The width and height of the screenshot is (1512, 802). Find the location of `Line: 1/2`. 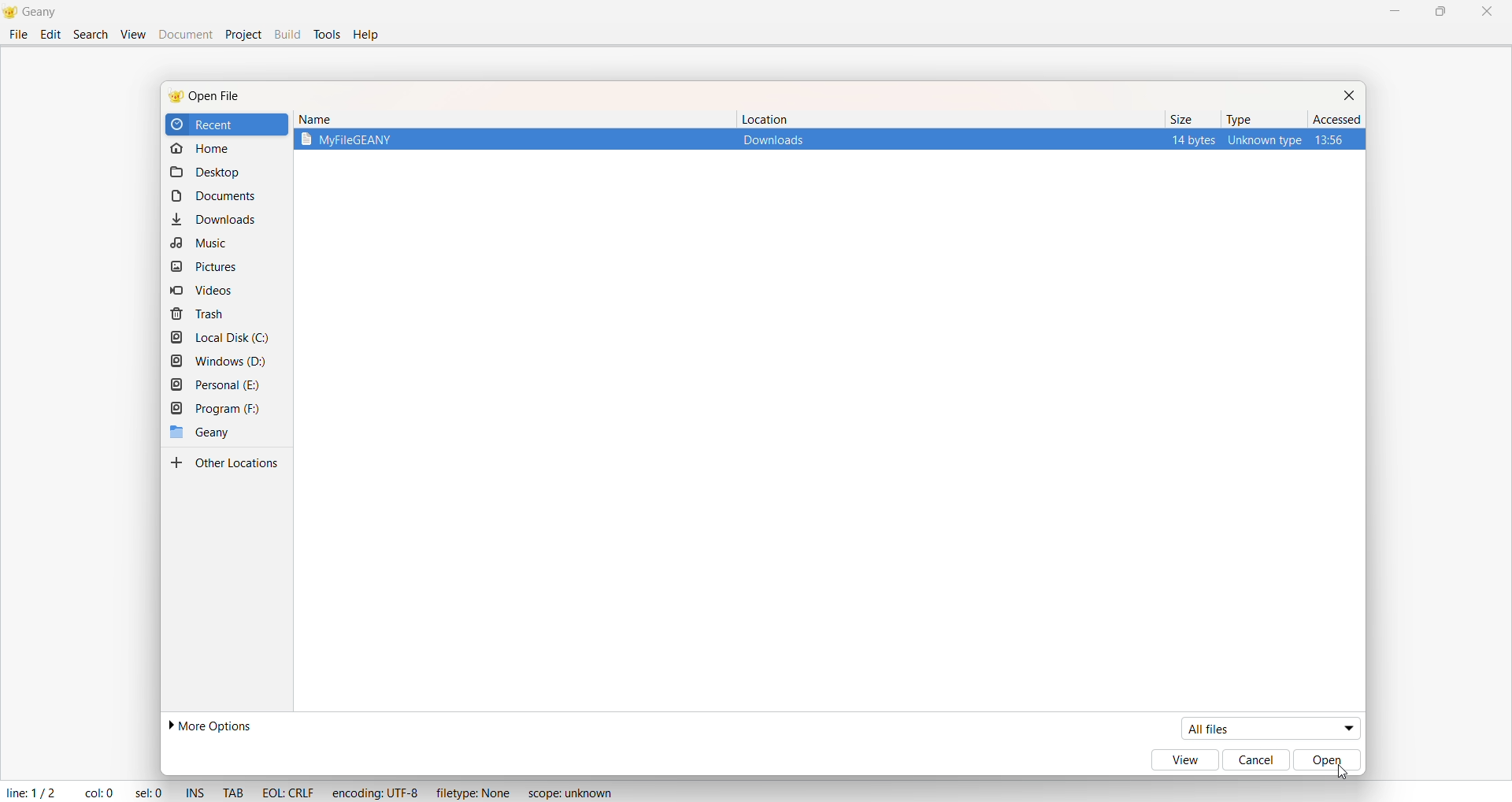

Line: 1/2 is located at coordinates (31, 793).